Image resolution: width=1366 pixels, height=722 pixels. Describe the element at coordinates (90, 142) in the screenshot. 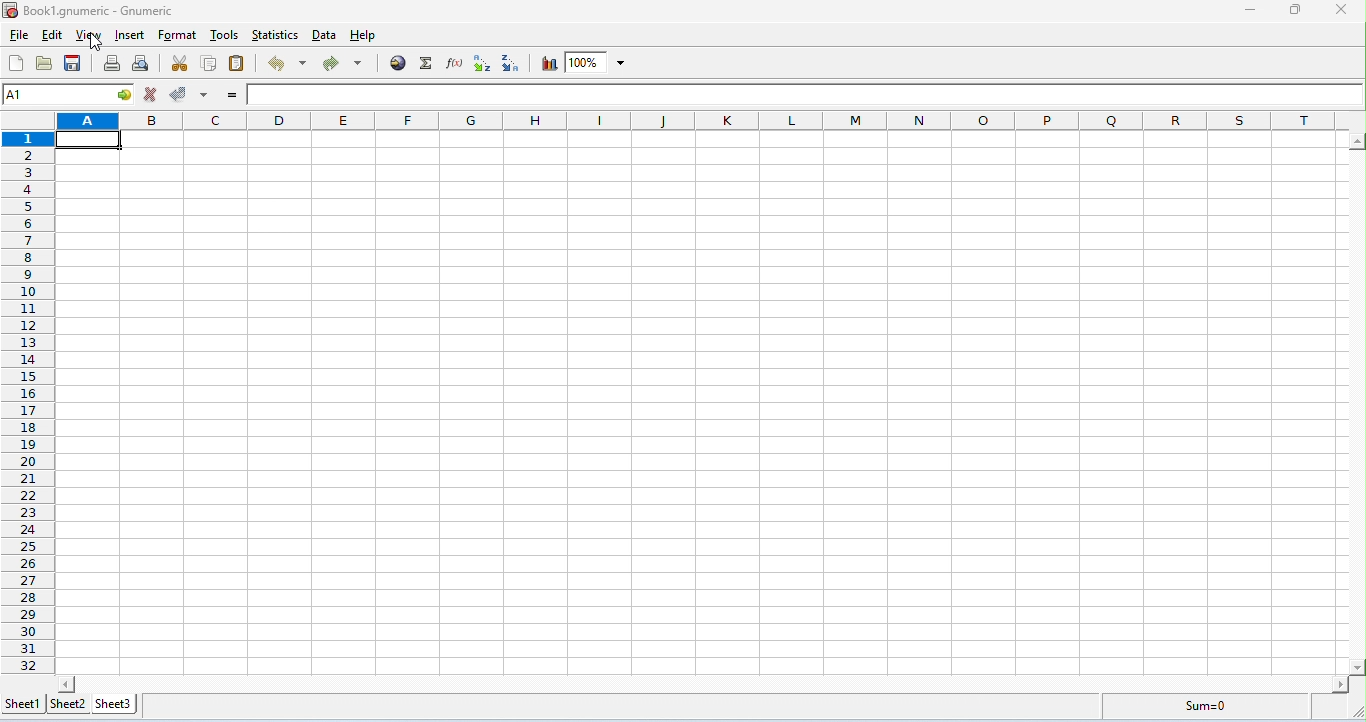

I see `selected cell` at that location.